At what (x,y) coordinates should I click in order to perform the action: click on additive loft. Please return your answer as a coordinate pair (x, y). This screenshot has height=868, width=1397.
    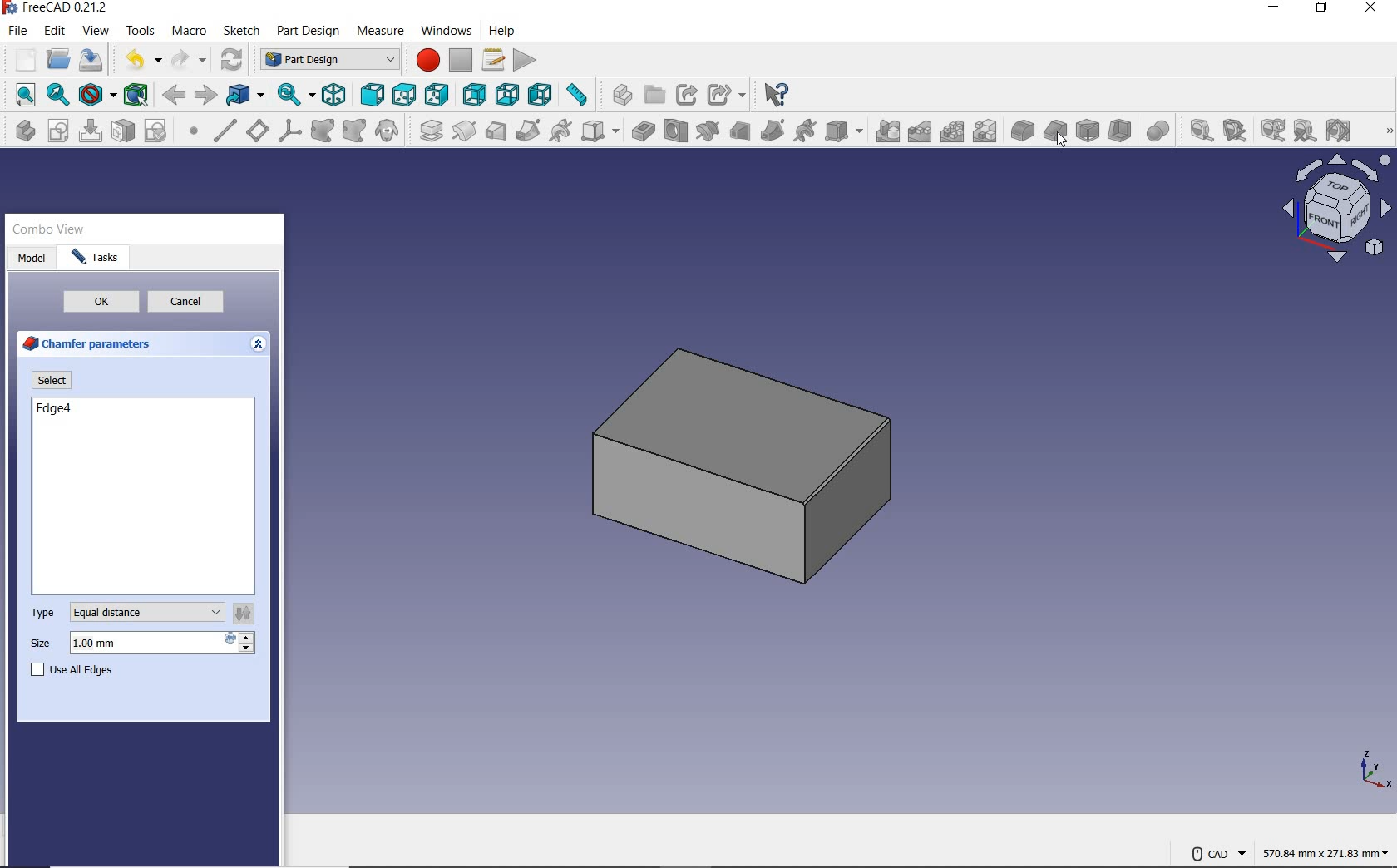
    Looking at the image, I should click on (496, 131).